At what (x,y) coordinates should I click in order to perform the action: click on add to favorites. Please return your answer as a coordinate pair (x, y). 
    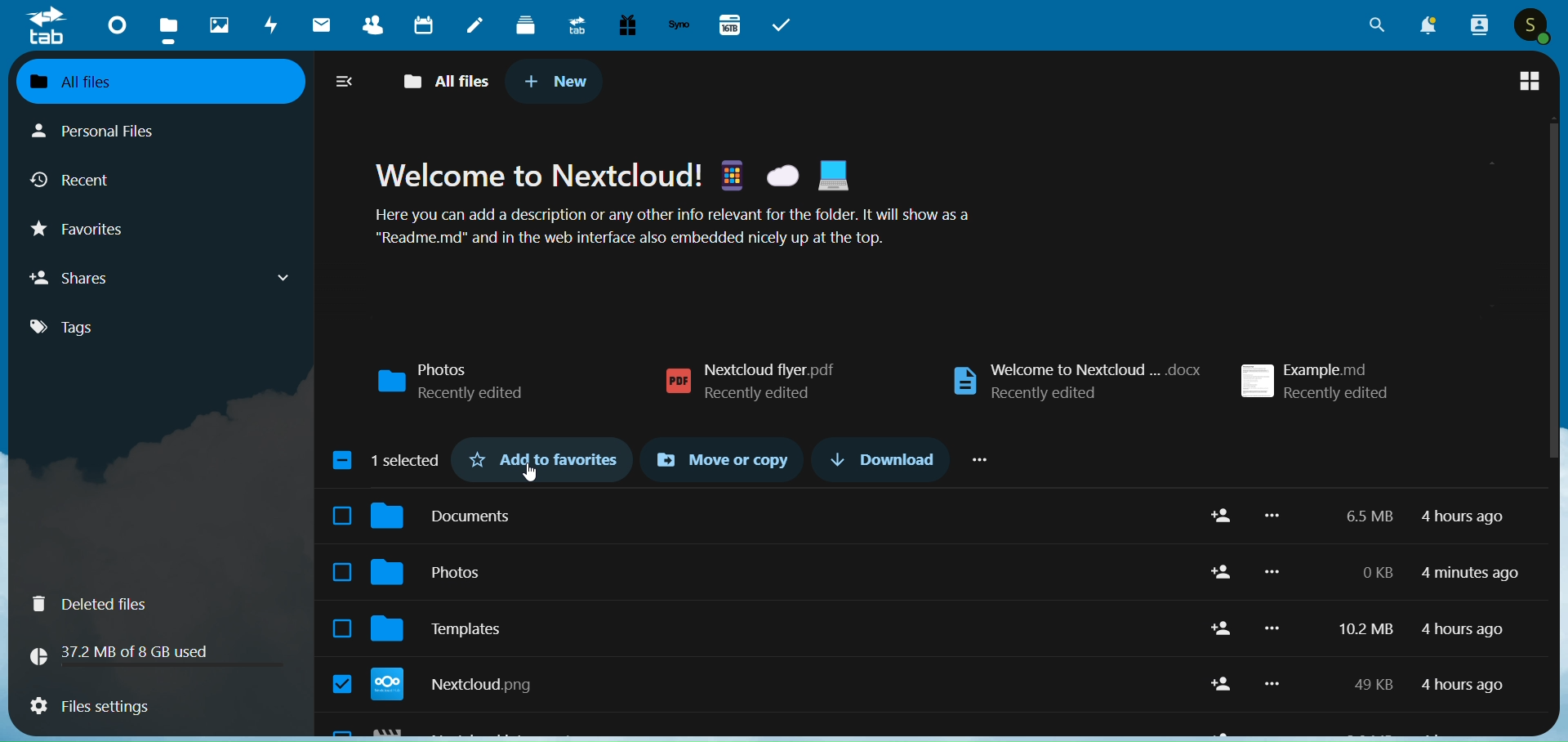
    Looking at the image, I should click on (546, 456).